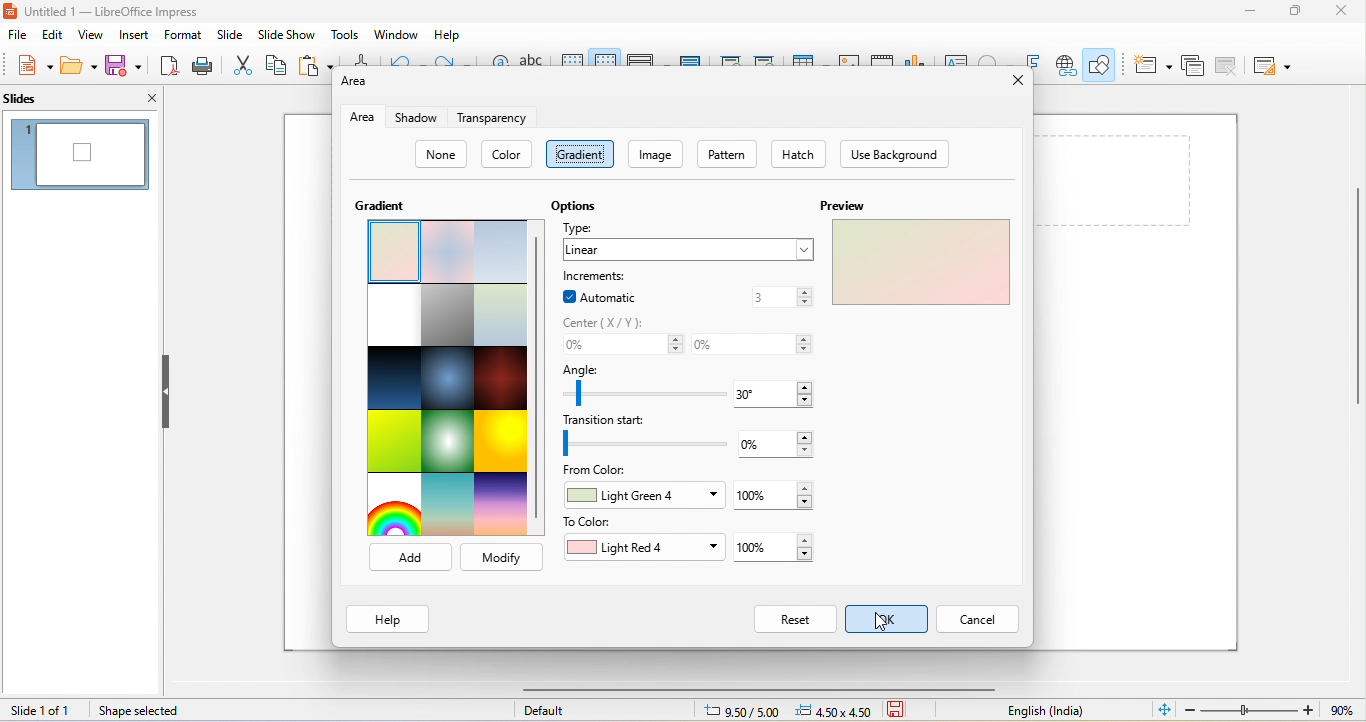  Describe the element at coordinates (397, 35) in the screenshot. I see `window` at that location.